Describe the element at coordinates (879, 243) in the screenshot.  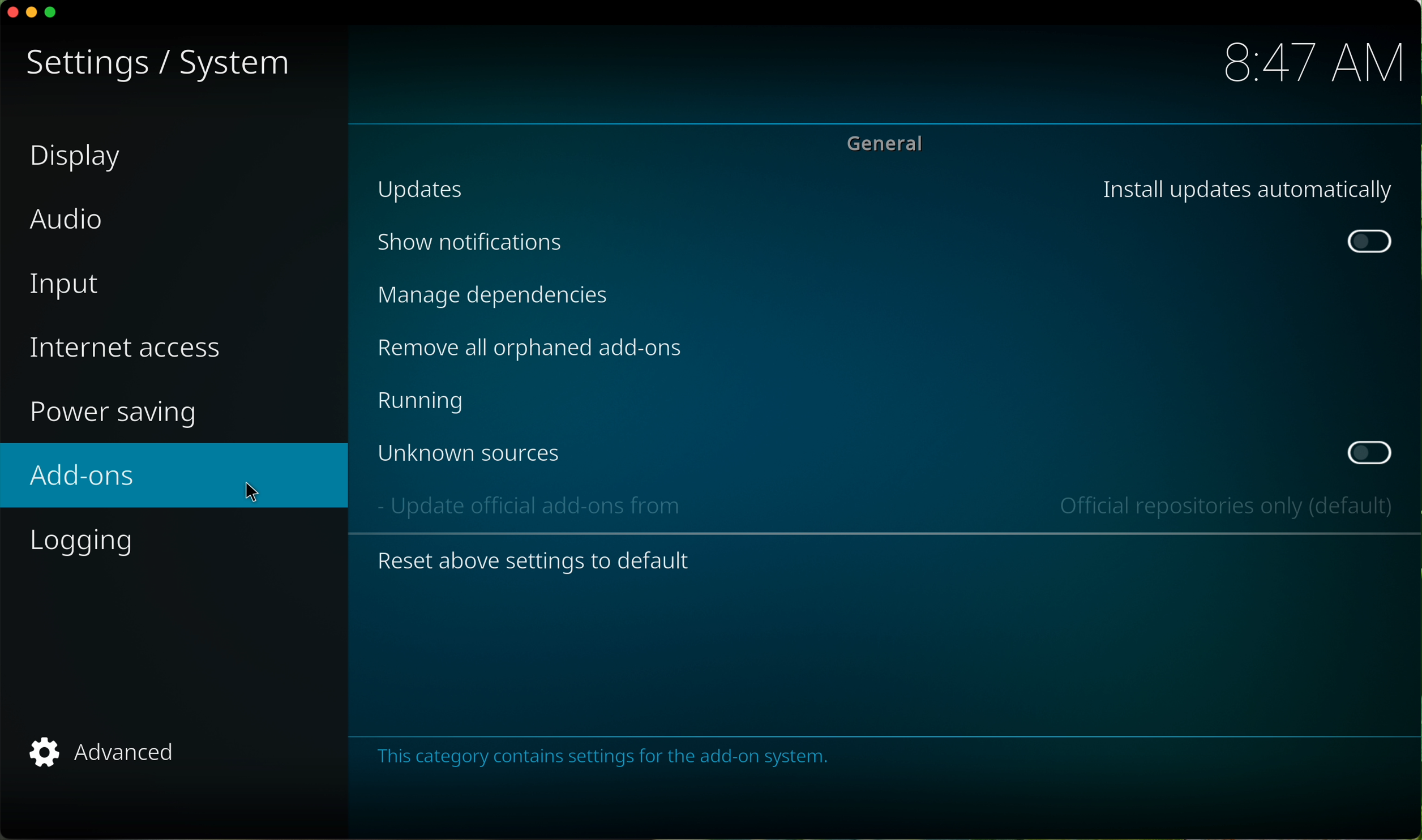
I see `Show notifications` at that location.